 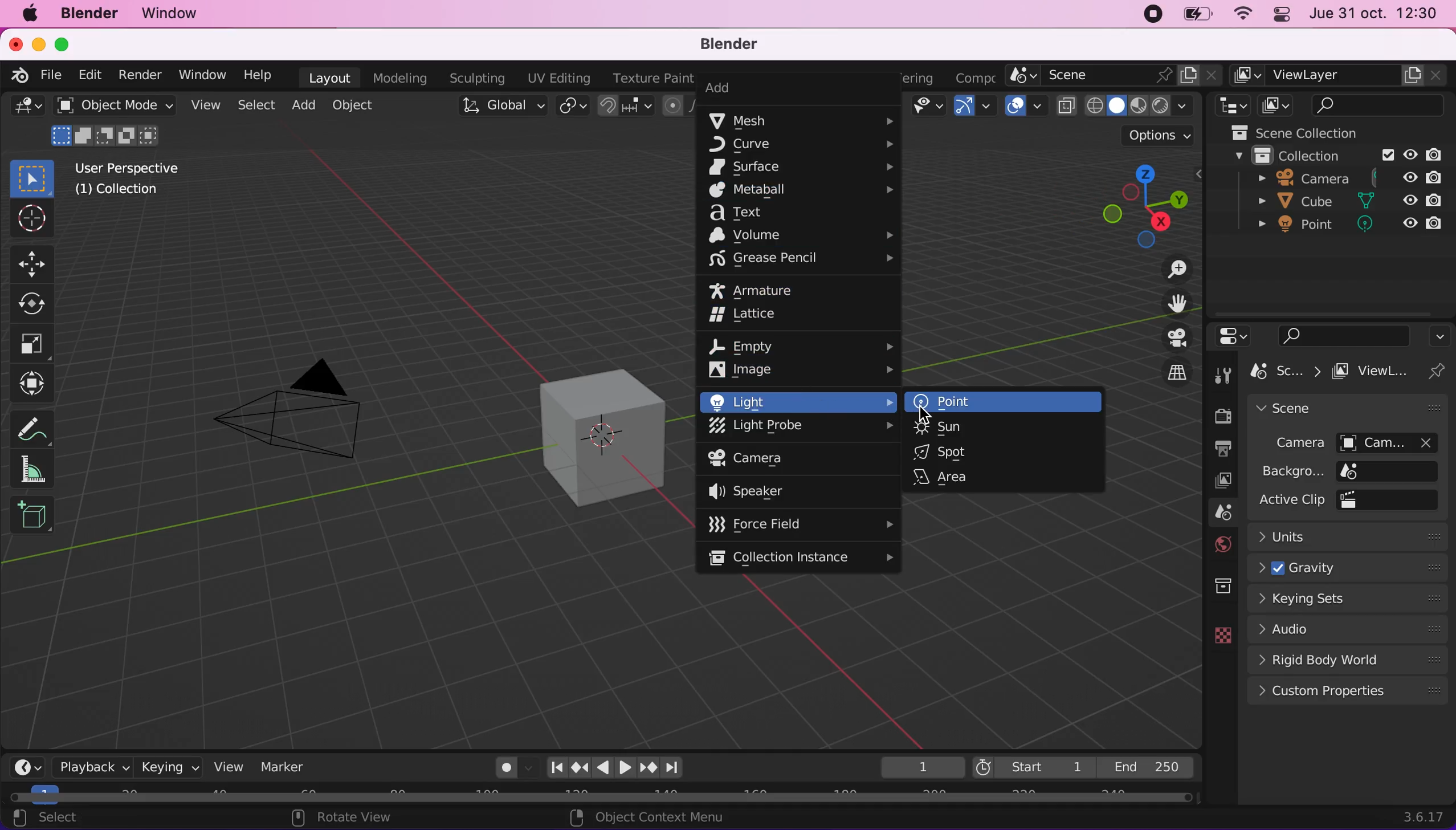 I want to click on rendering, so click(x=924, y=78).